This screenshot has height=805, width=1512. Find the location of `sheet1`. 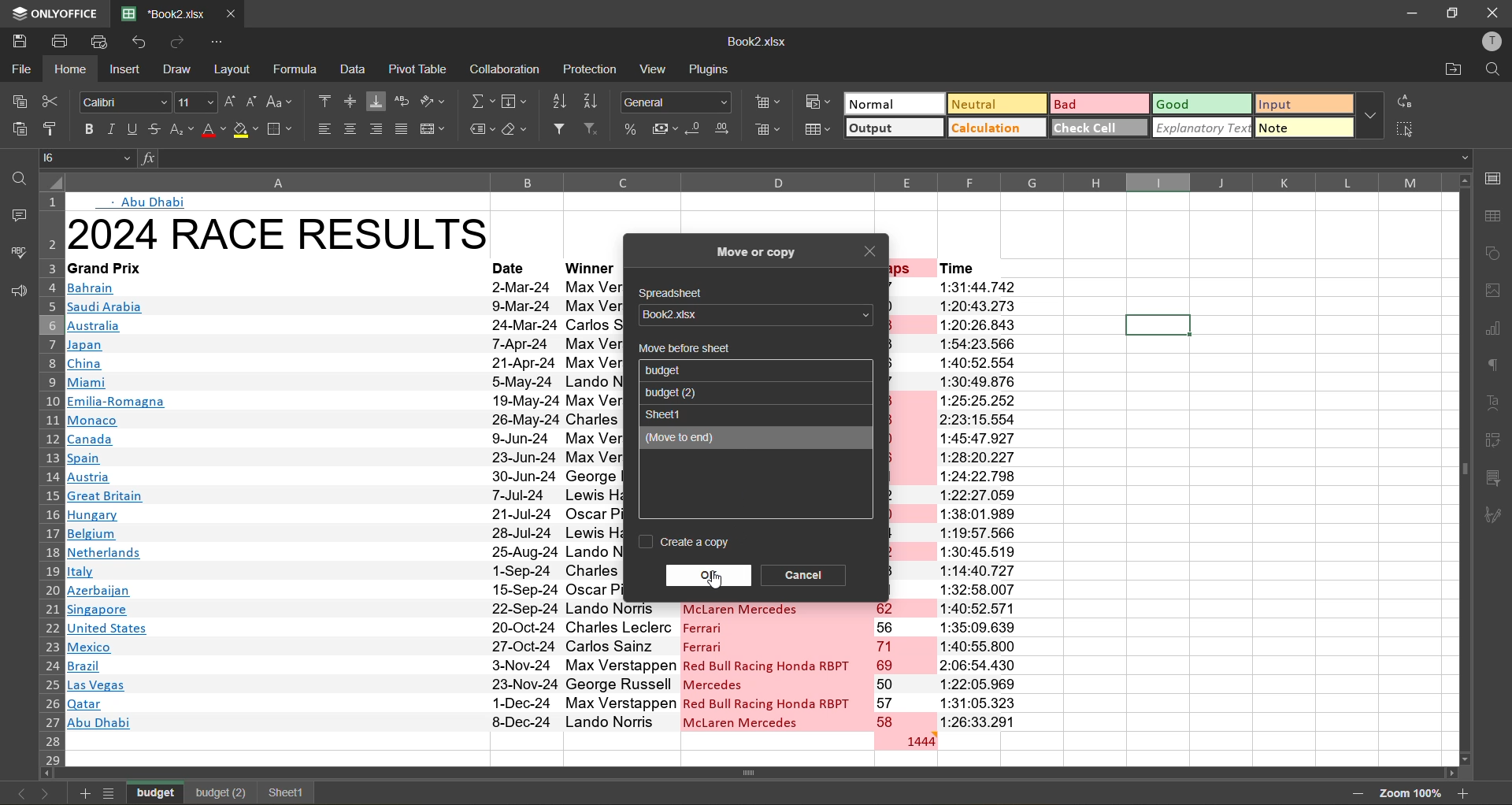

sheet1 is located at coordinates (283, 792).